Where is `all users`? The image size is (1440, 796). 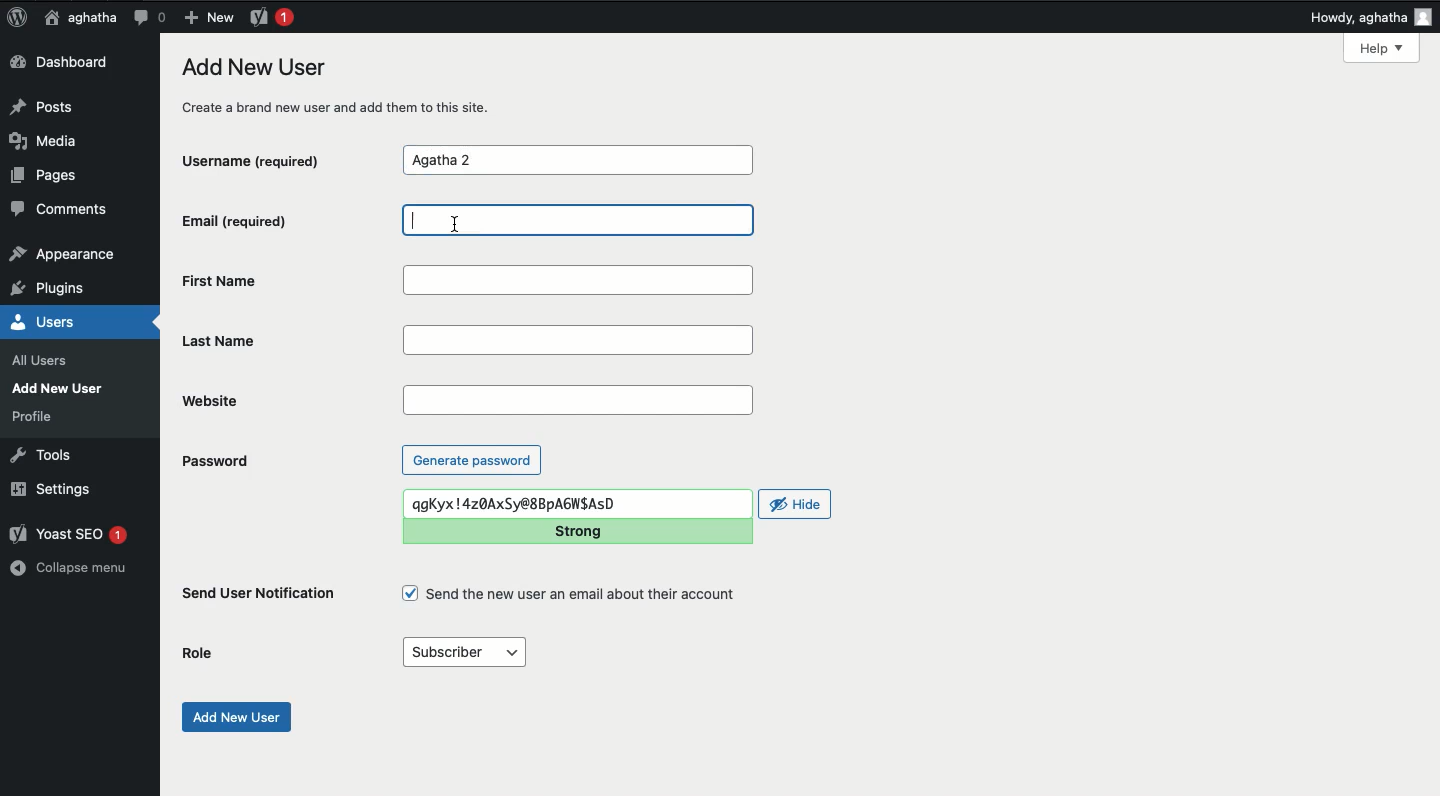
all users is located at coordinates (45, 361).